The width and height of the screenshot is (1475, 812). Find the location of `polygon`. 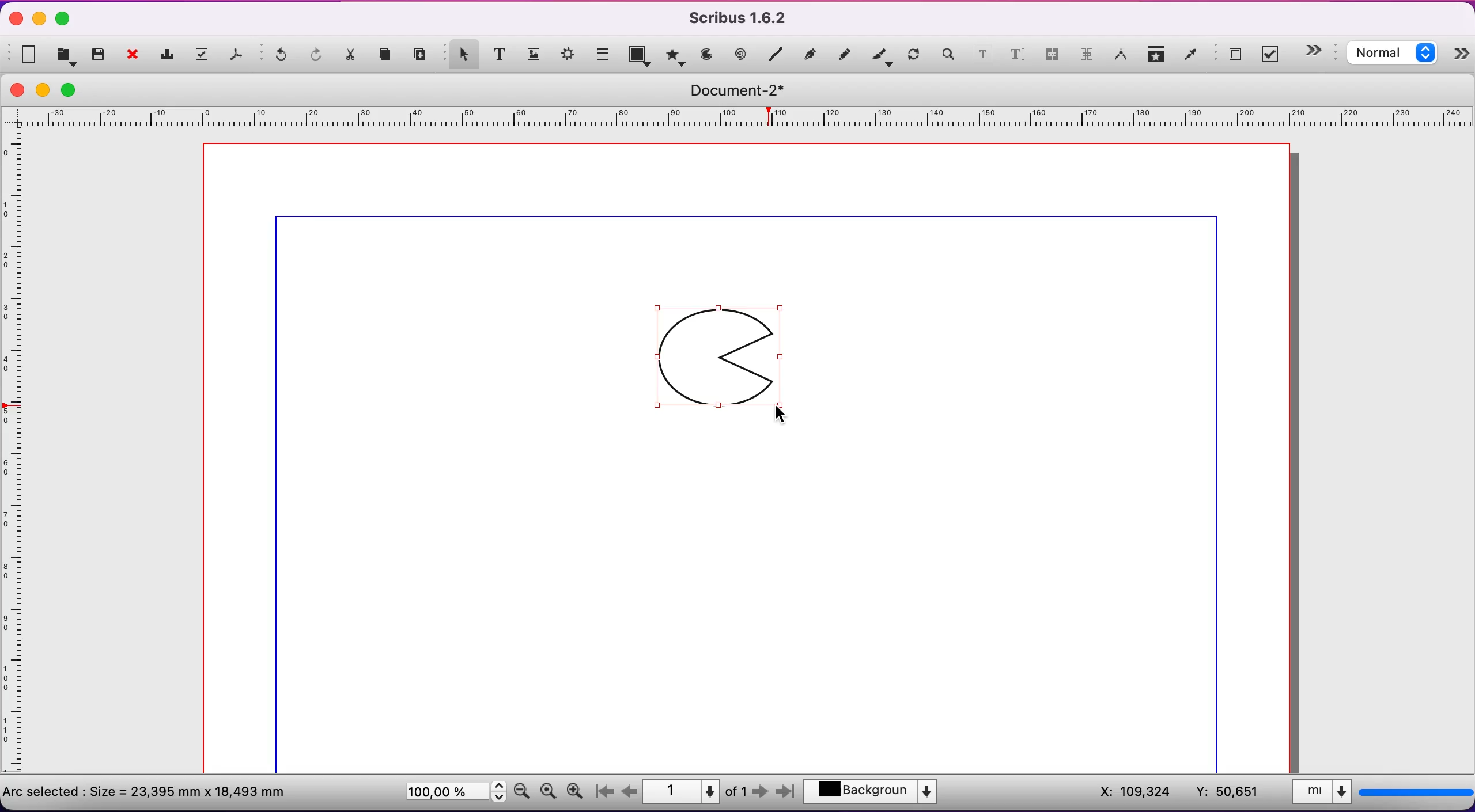

polygon is located at coordinates (674, 55).